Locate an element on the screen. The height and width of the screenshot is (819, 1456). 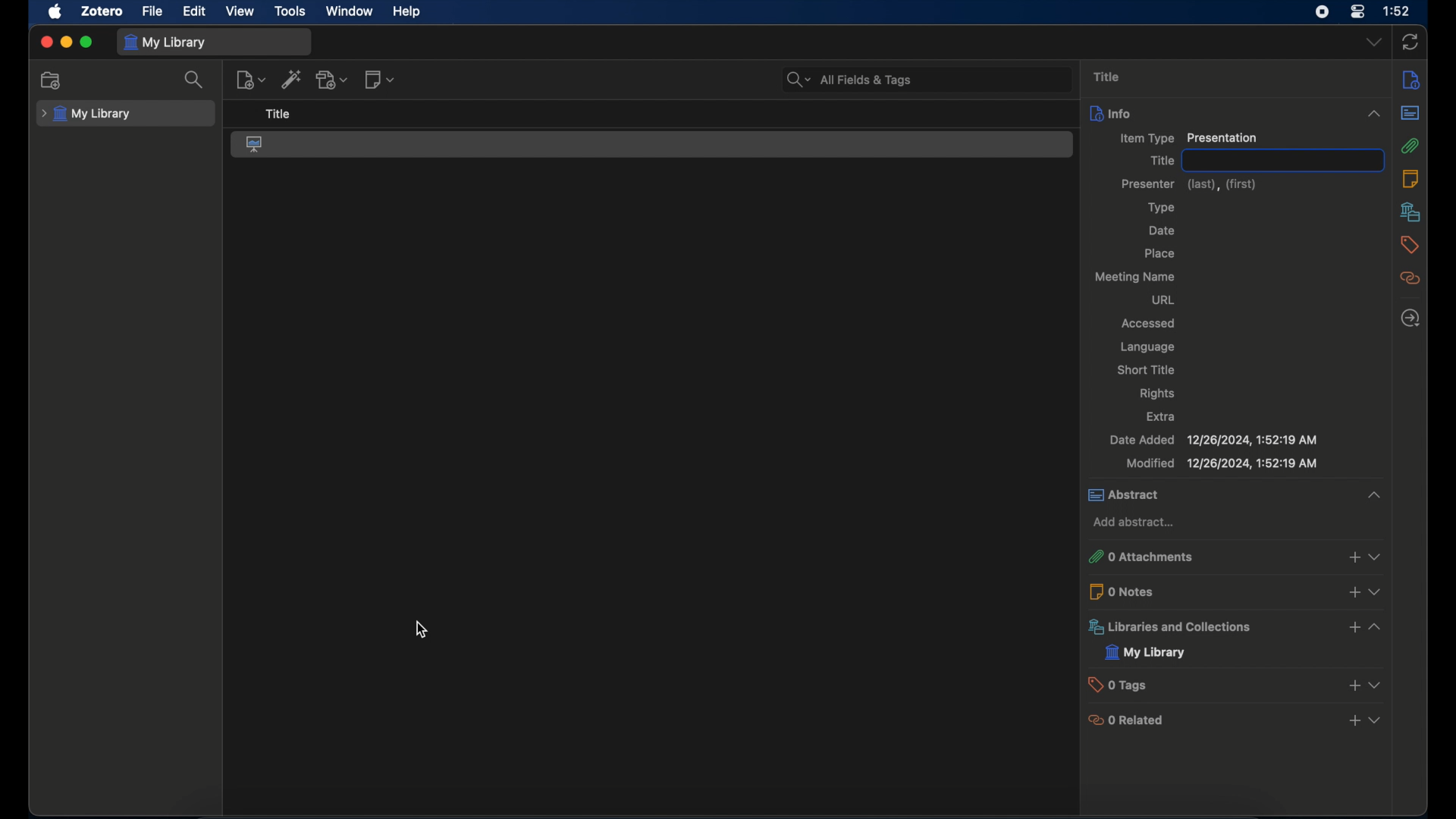
rights is located at coordinates (1159, 394).